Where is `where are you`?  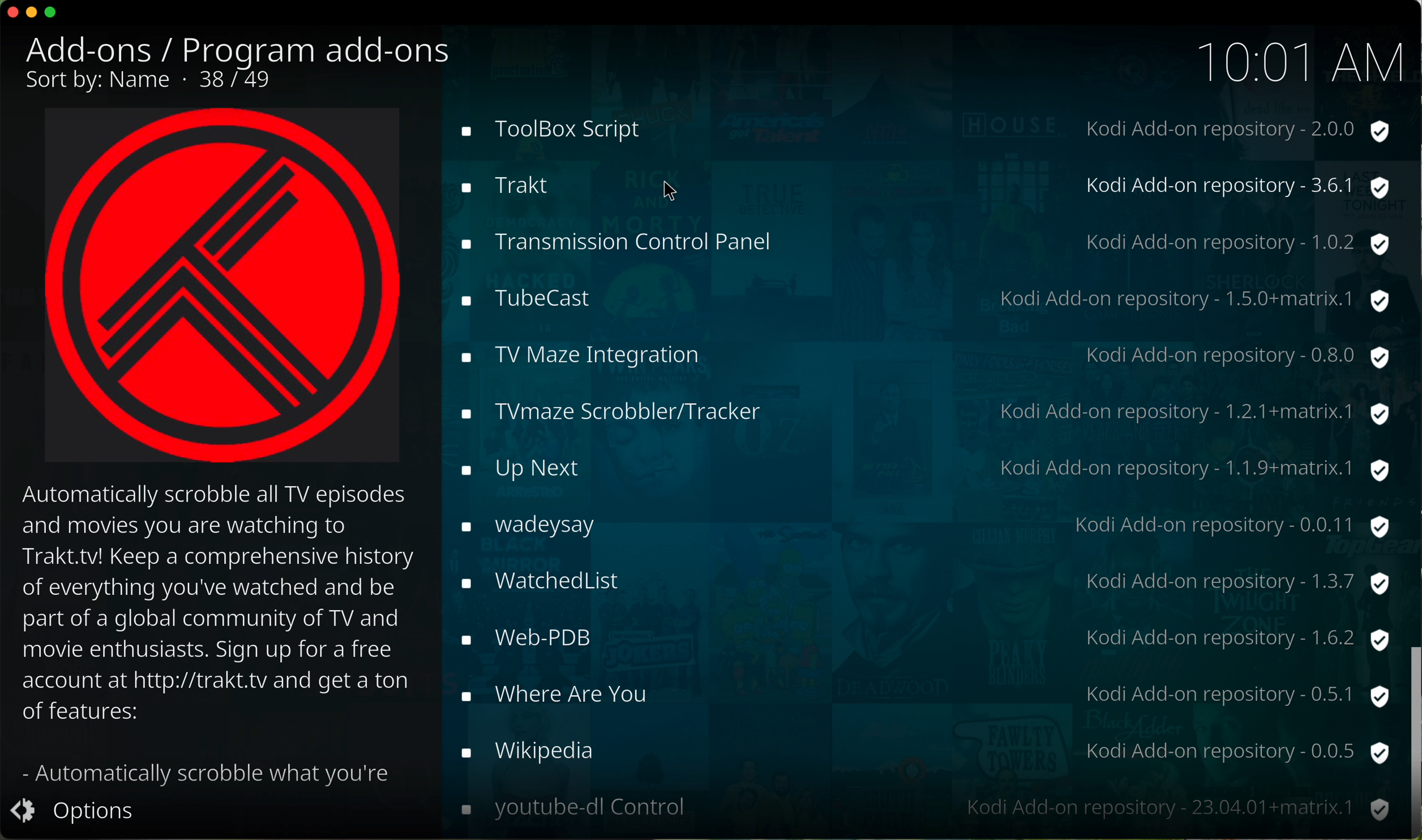 where are you is located at coordinates (927, 693).